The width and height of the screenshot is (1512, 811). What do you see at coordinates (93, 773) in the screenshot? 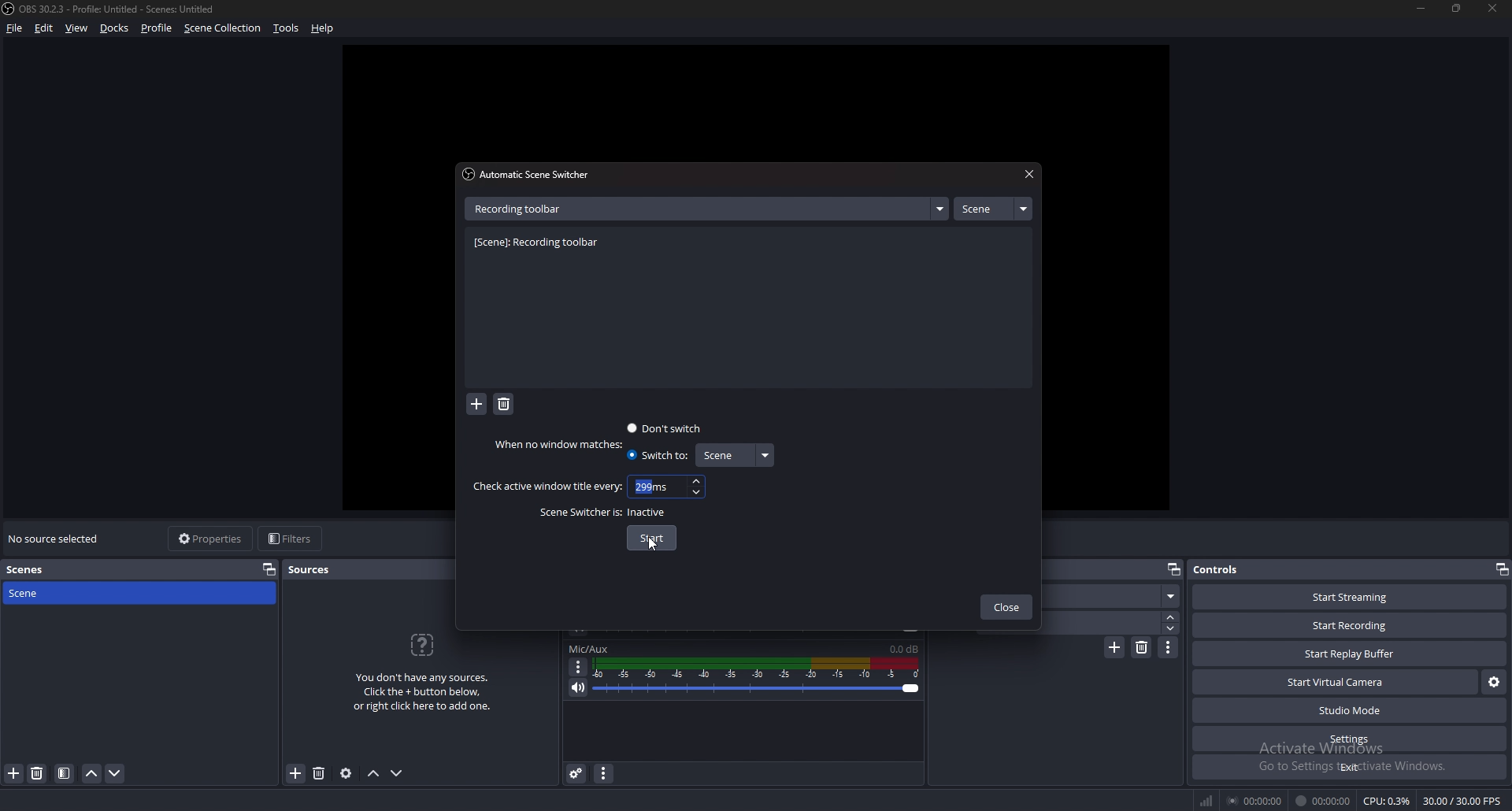
I see `move scene up` at bounding box center [93, 773].